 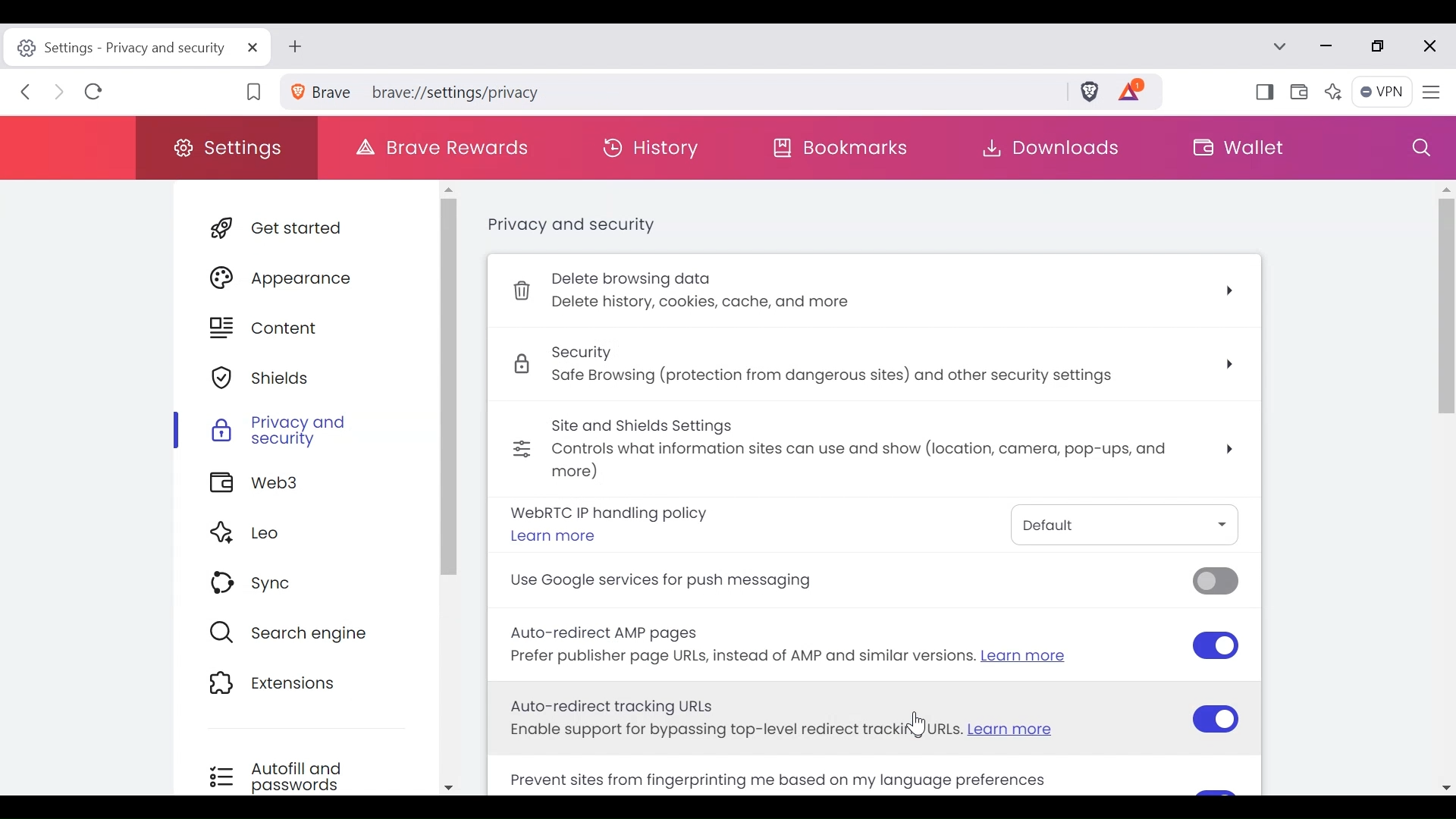 What do you see at coordinates (672, 91) in the screenshot?
I see `brave://settings/privacy` at bounding box center [672, 91].